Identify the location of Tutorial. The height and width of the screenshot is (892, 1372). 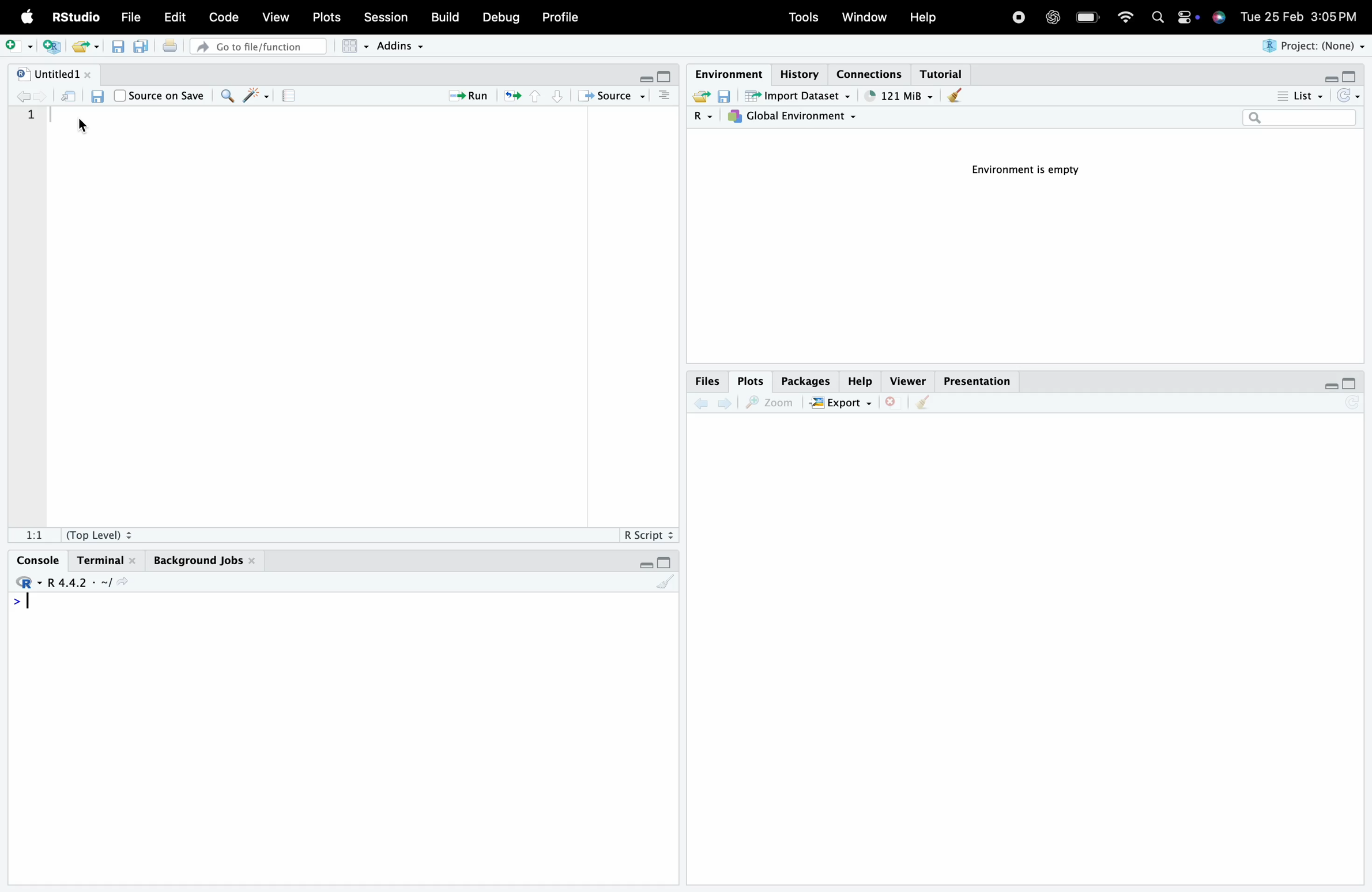
(945, 72).